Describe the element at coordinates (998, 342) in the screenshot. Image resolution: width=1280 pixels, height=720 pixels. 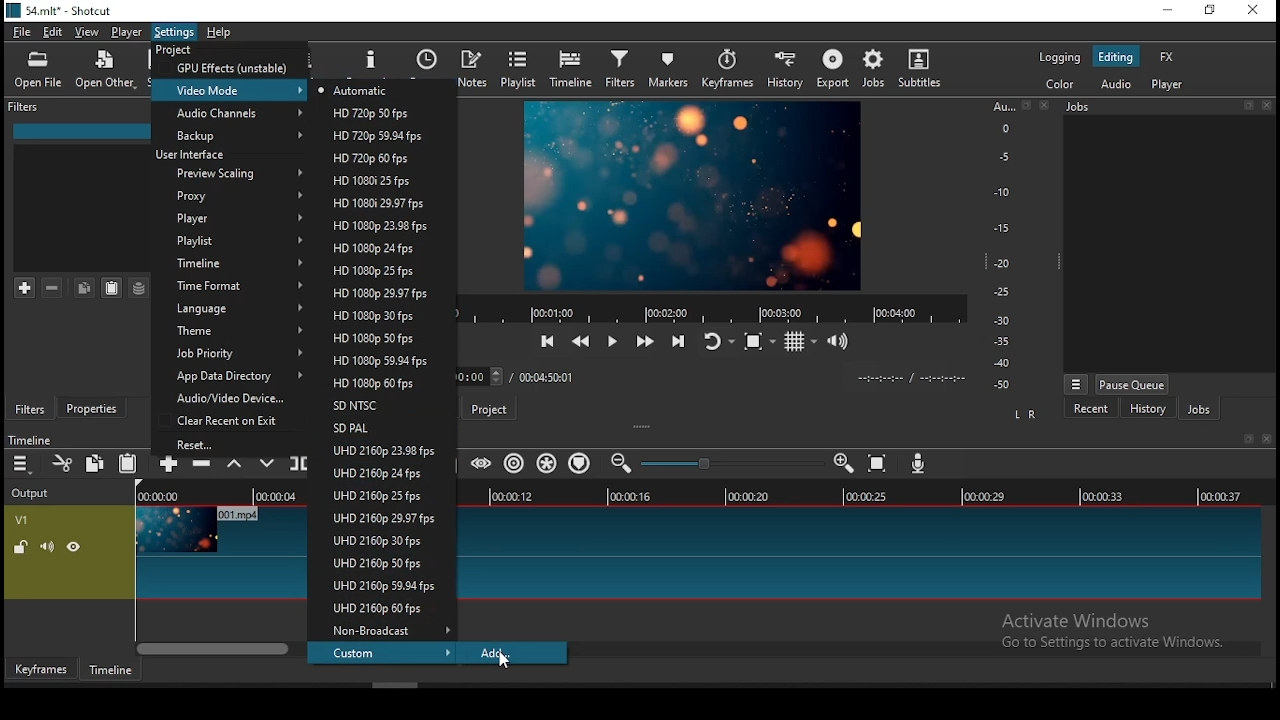
I see `-35` at that location.